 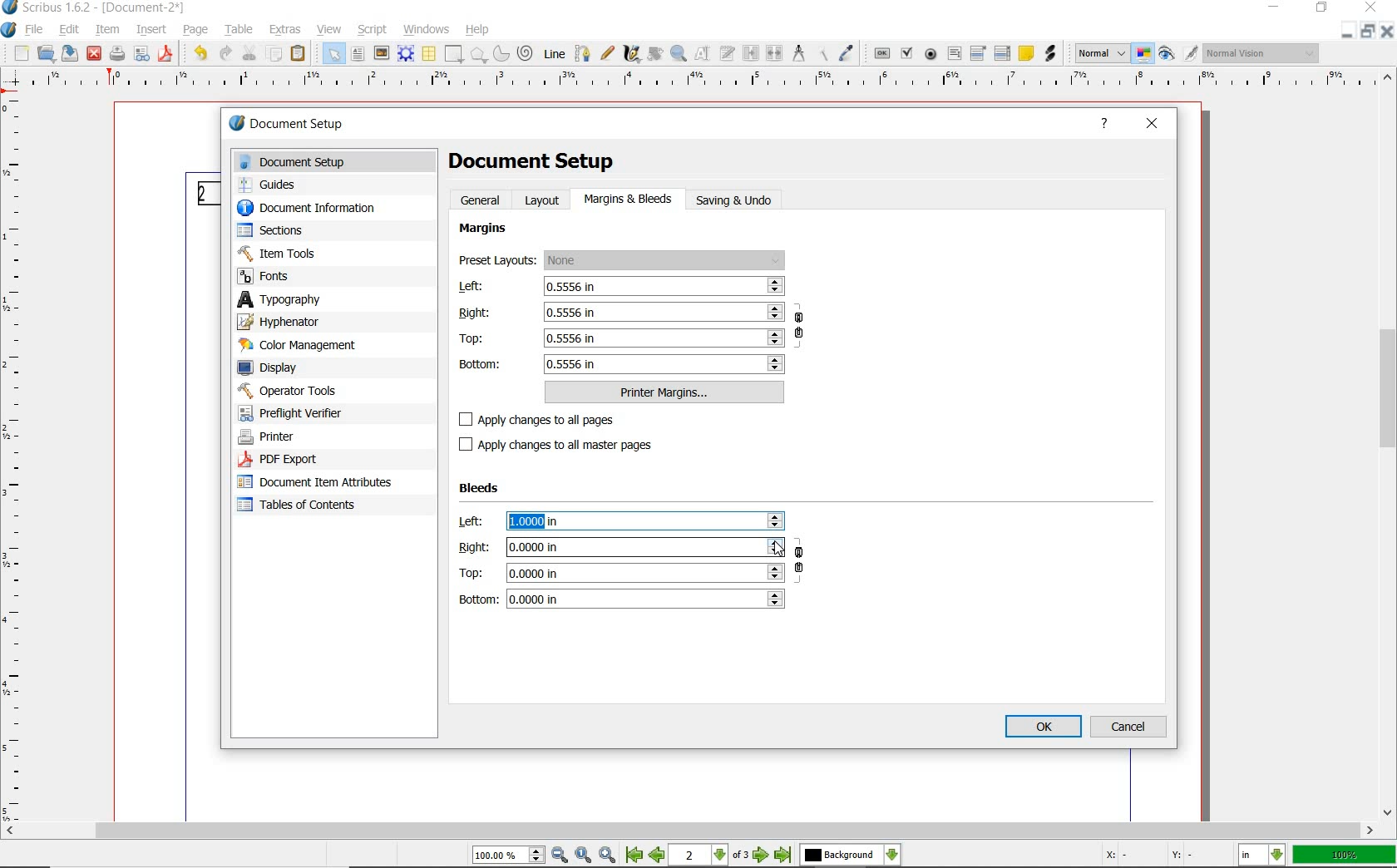 I want to click on saving & undo, so click(x=743, y=201).